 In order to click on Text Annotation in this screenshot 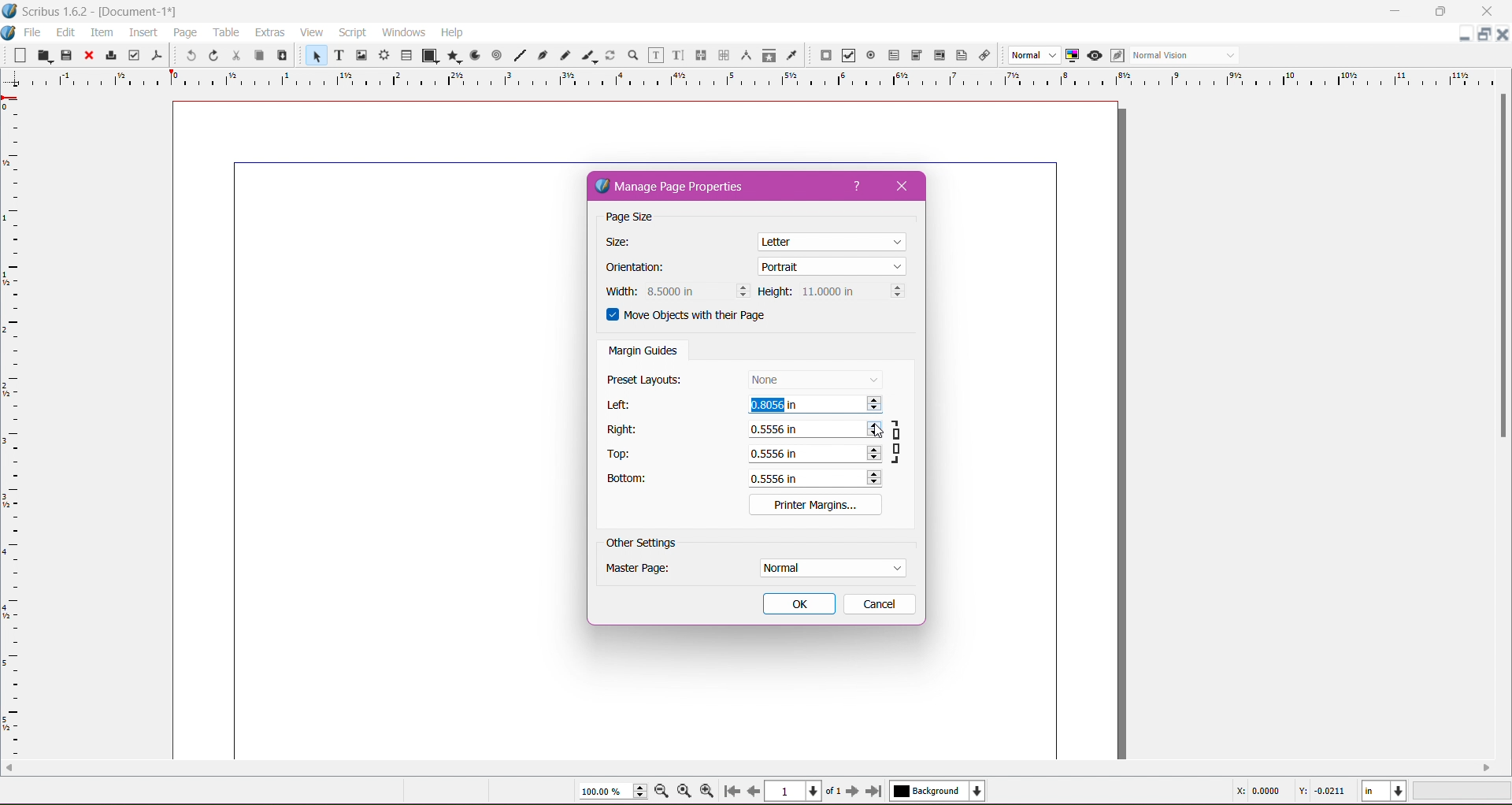, I will do `click(960, 56)`.